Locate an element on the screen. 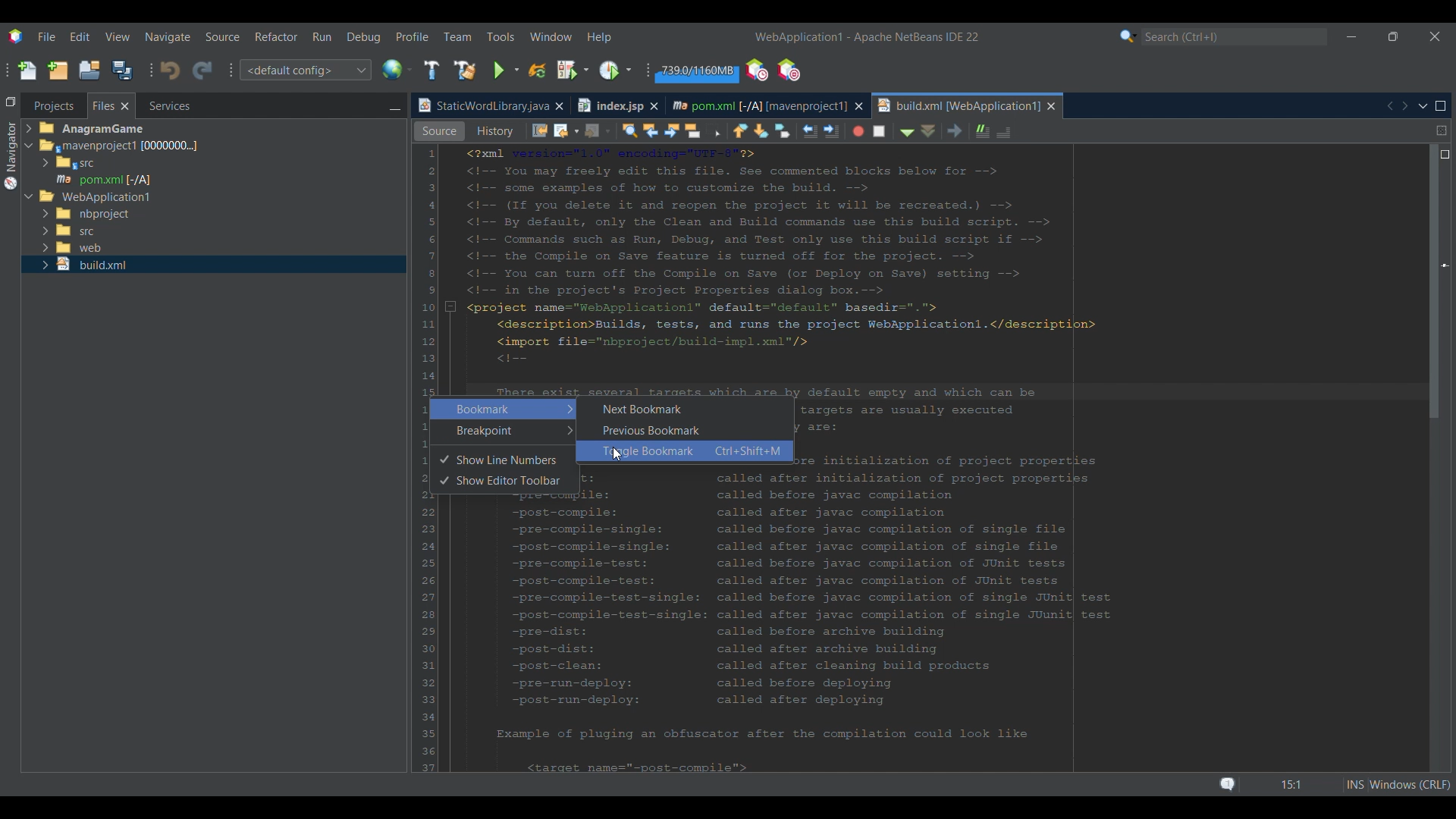 The image size is (1456, 819). Find previous occurrence is located at coordinates (788, 132).